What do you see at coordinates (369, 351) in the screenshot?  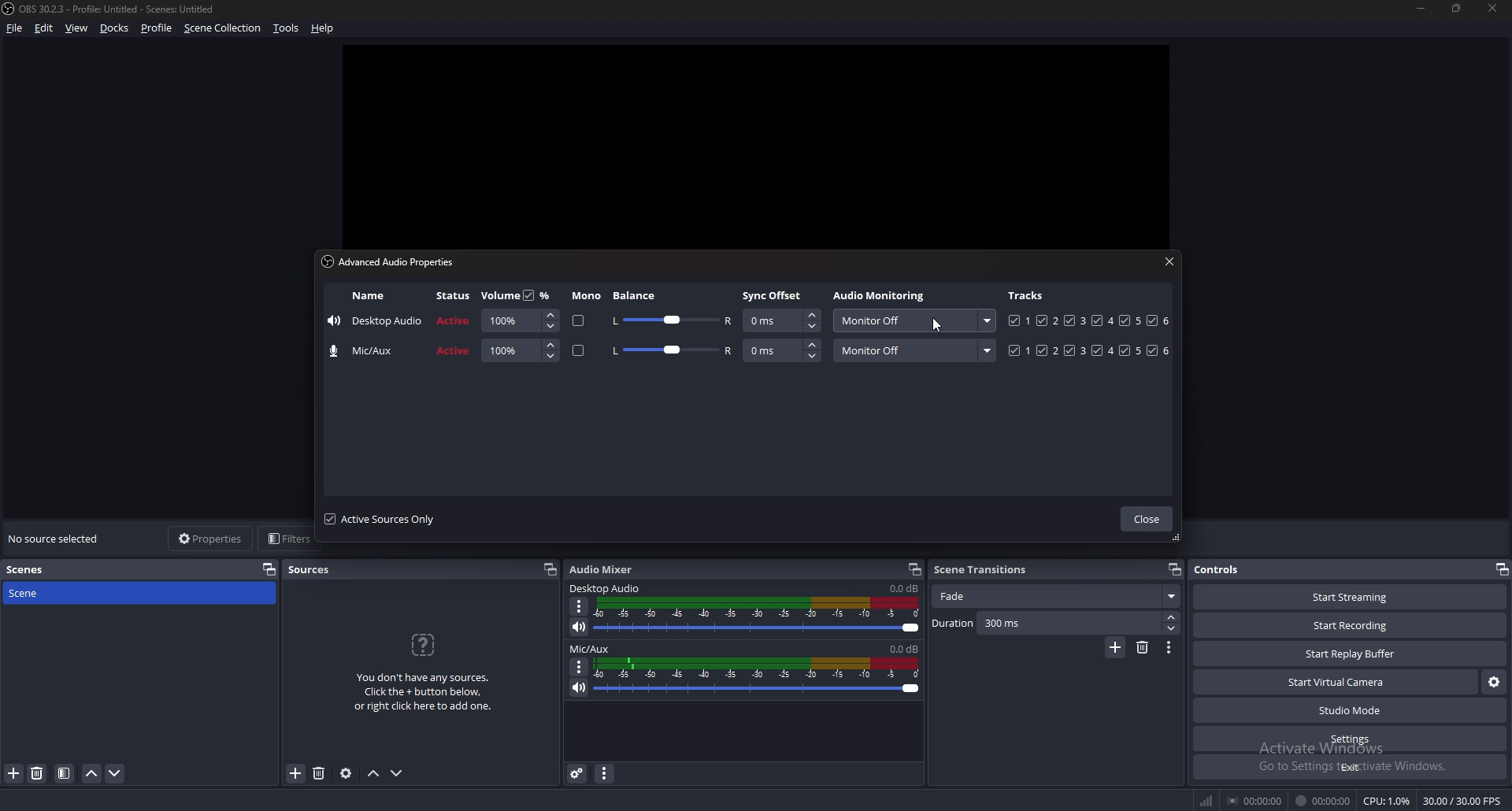 I see `name` at bounding box center [369, 351].